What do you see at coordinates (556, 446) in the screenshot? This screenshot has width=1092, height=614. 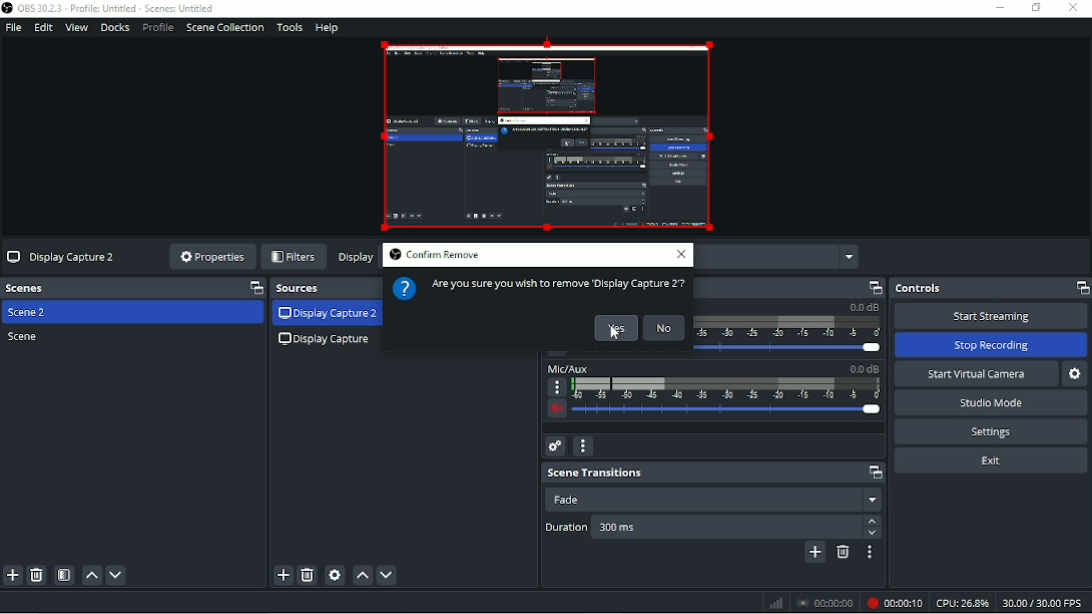 I see `Advanced audio properties` at bounding box center [556, 446].